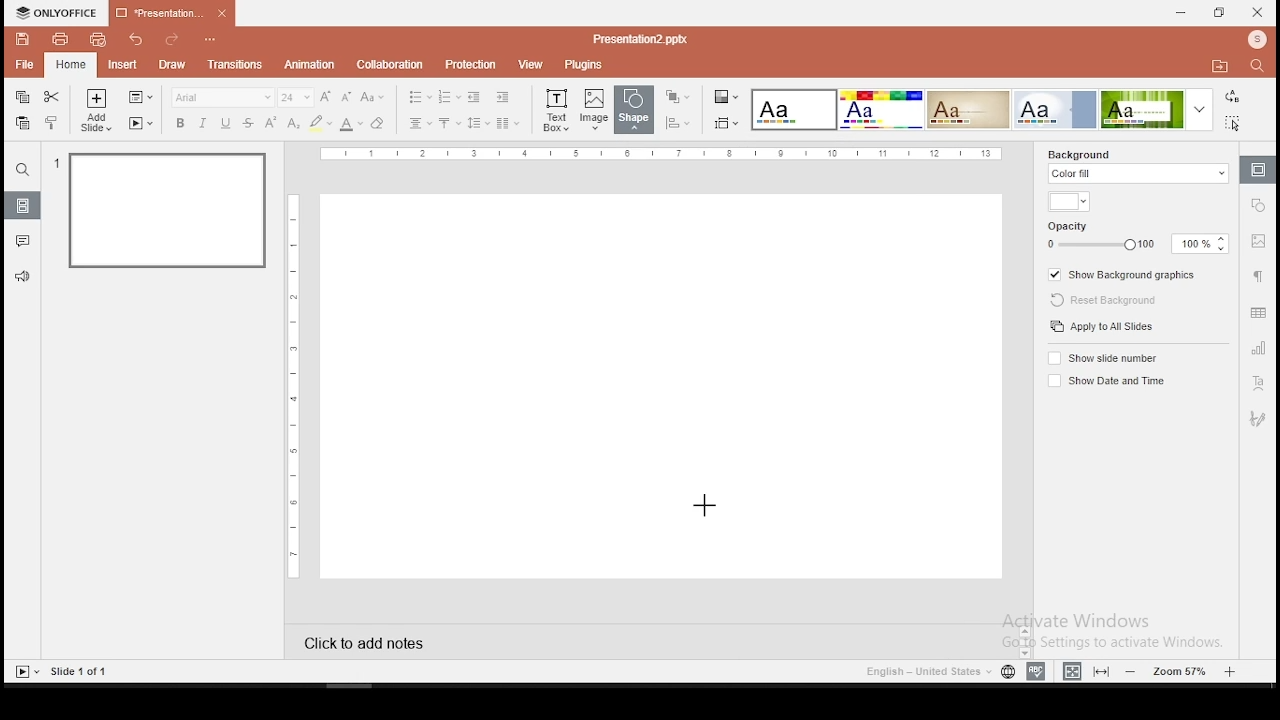 Image resolution: width=1280 pixels, height=720 pixels. I want to click on superscript, so click(269, 121).